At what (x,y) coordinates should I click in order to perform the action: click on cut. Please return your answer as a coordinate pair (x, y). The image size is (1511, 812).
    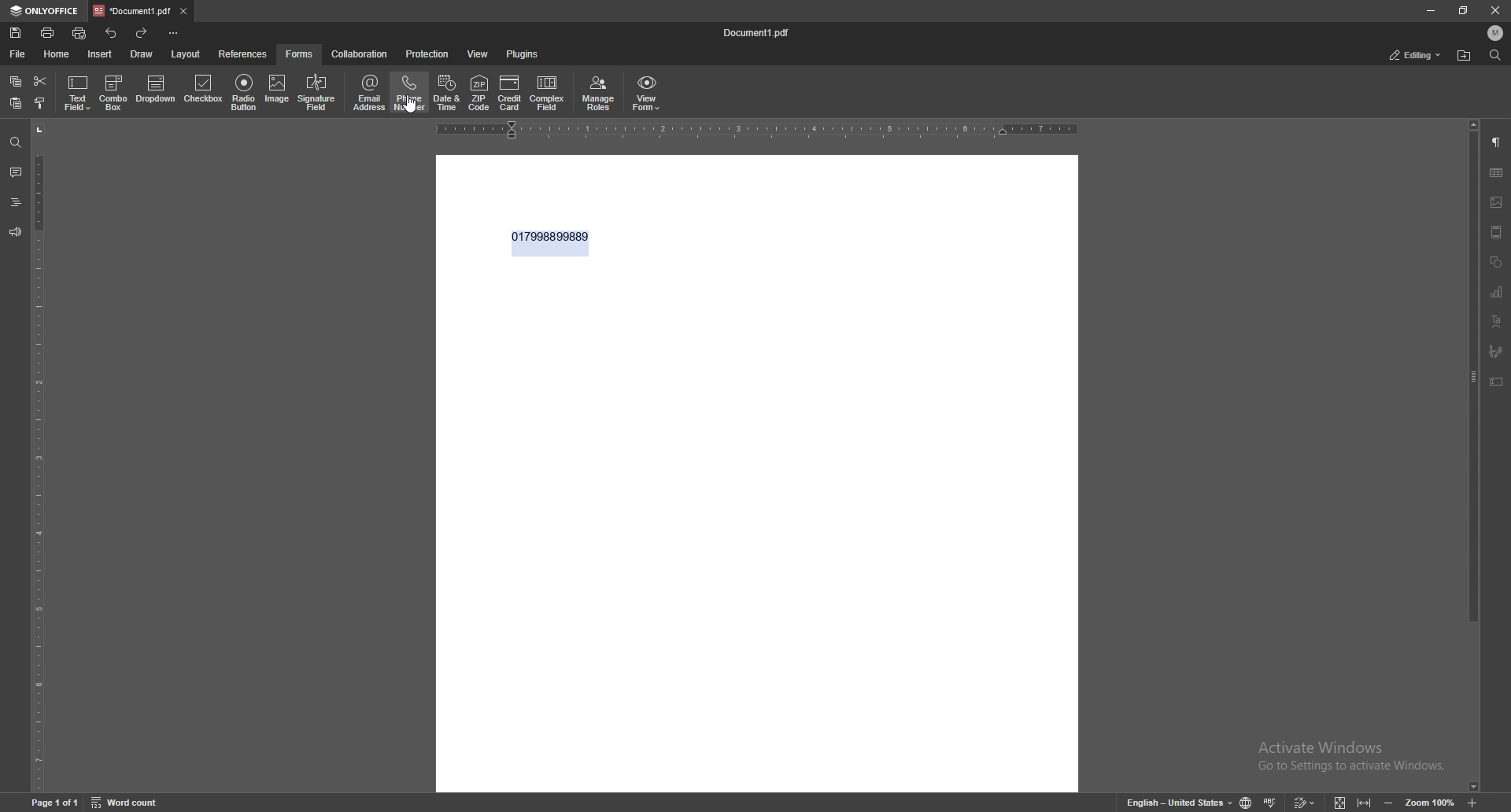
    Looking at the image, I should click on (40, 81).